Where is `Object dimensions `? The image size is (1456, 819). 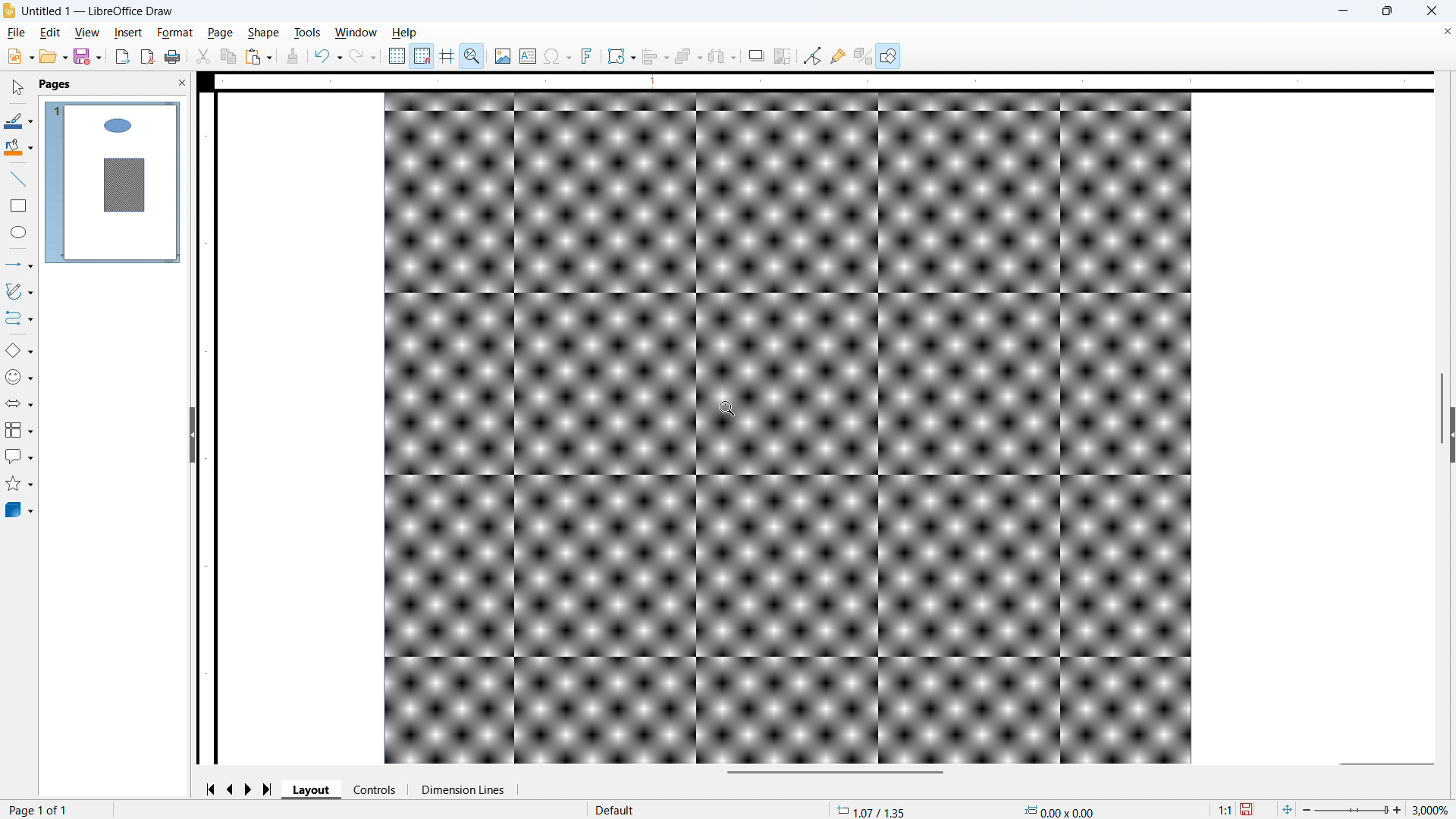
Object dimensions  is located at coordinates (1059, 810).